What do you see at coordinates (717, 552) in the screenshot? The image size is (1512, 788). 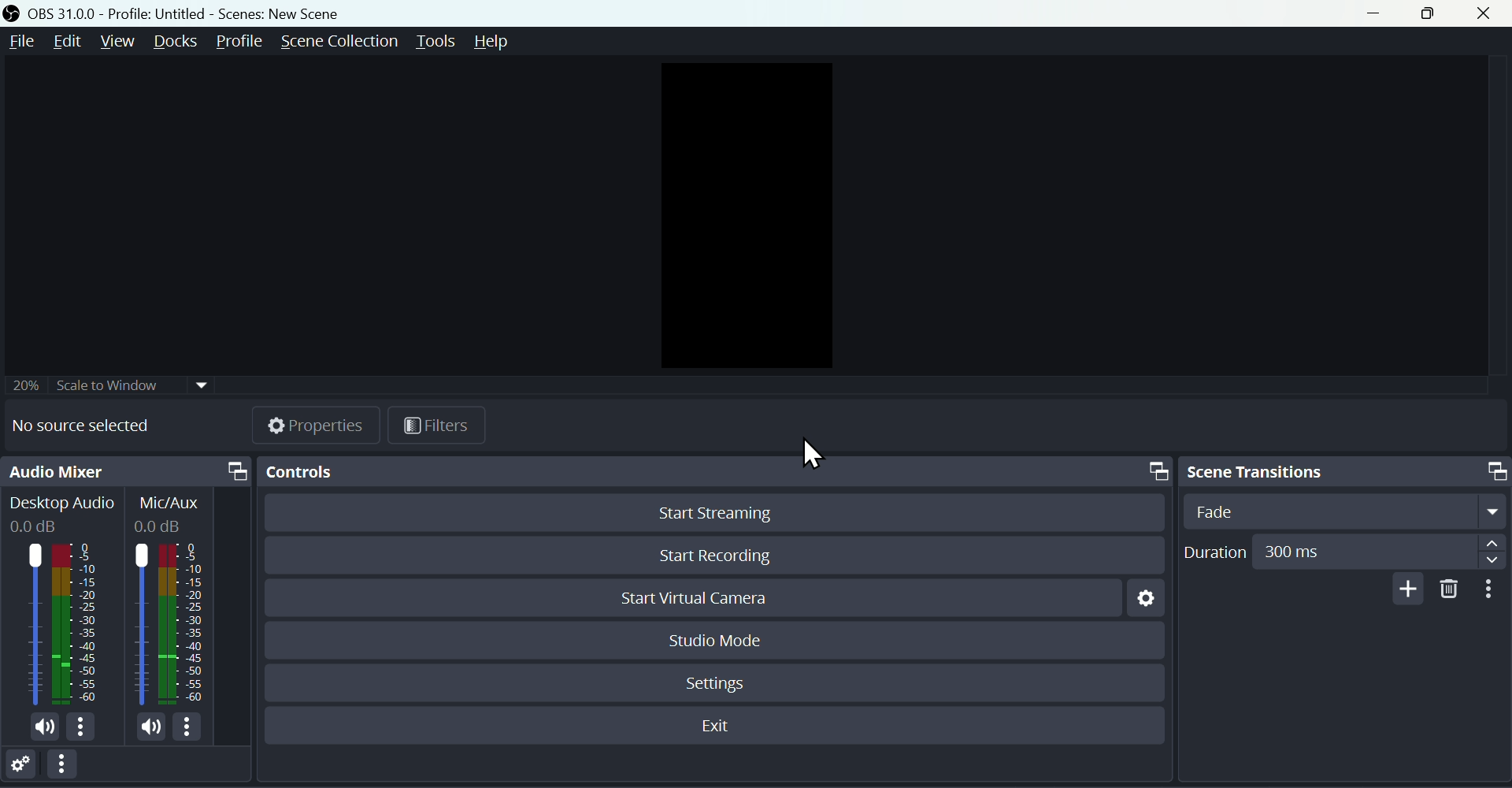 I see `Start recording` at bounding box center [717, 552].